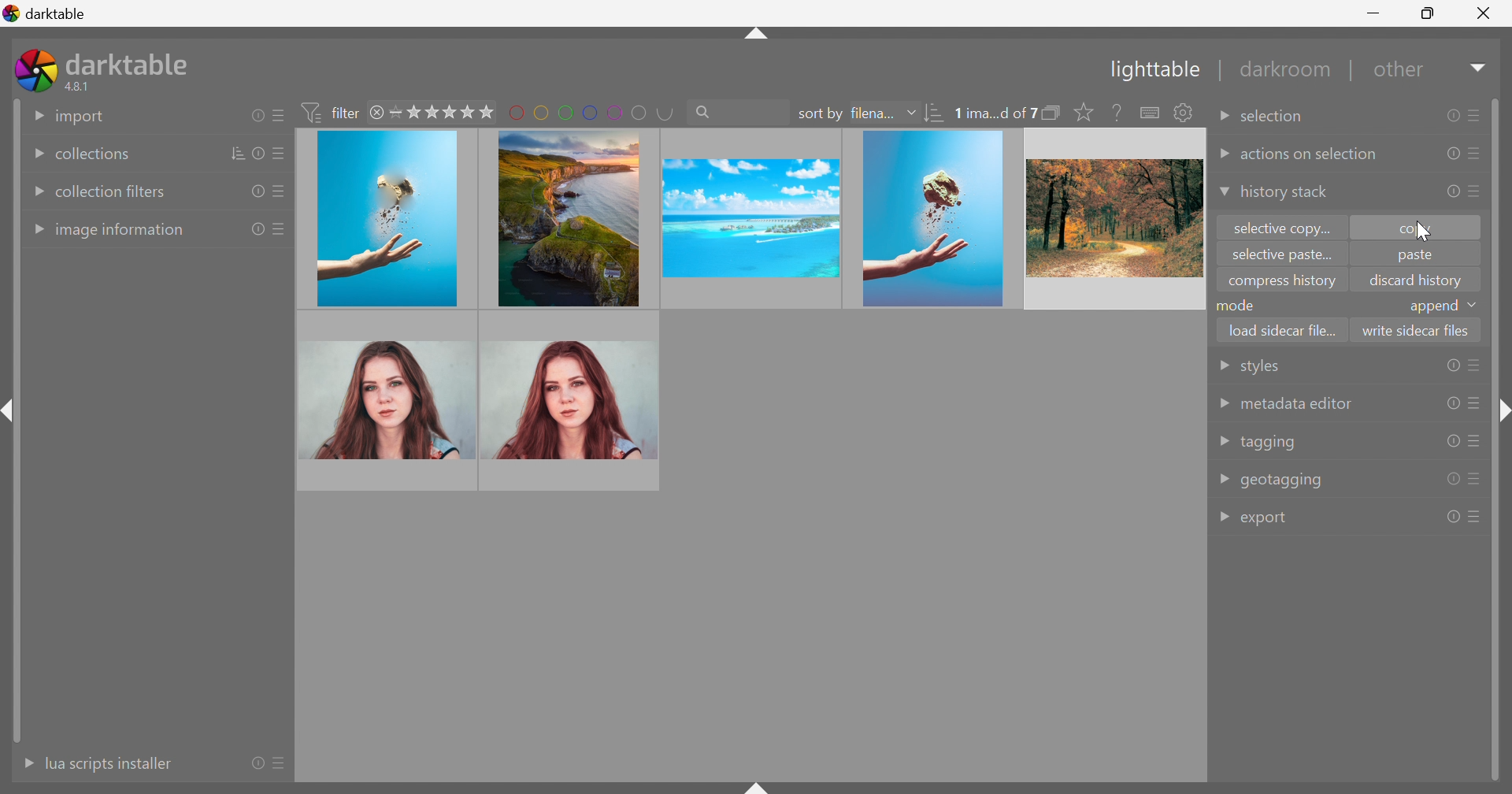 This screenshot has height=794, width=1512. What do you see at coordinates (1222, 366) in the screenshot?
I see `Drop Down` at bounding box center [1222, 366].